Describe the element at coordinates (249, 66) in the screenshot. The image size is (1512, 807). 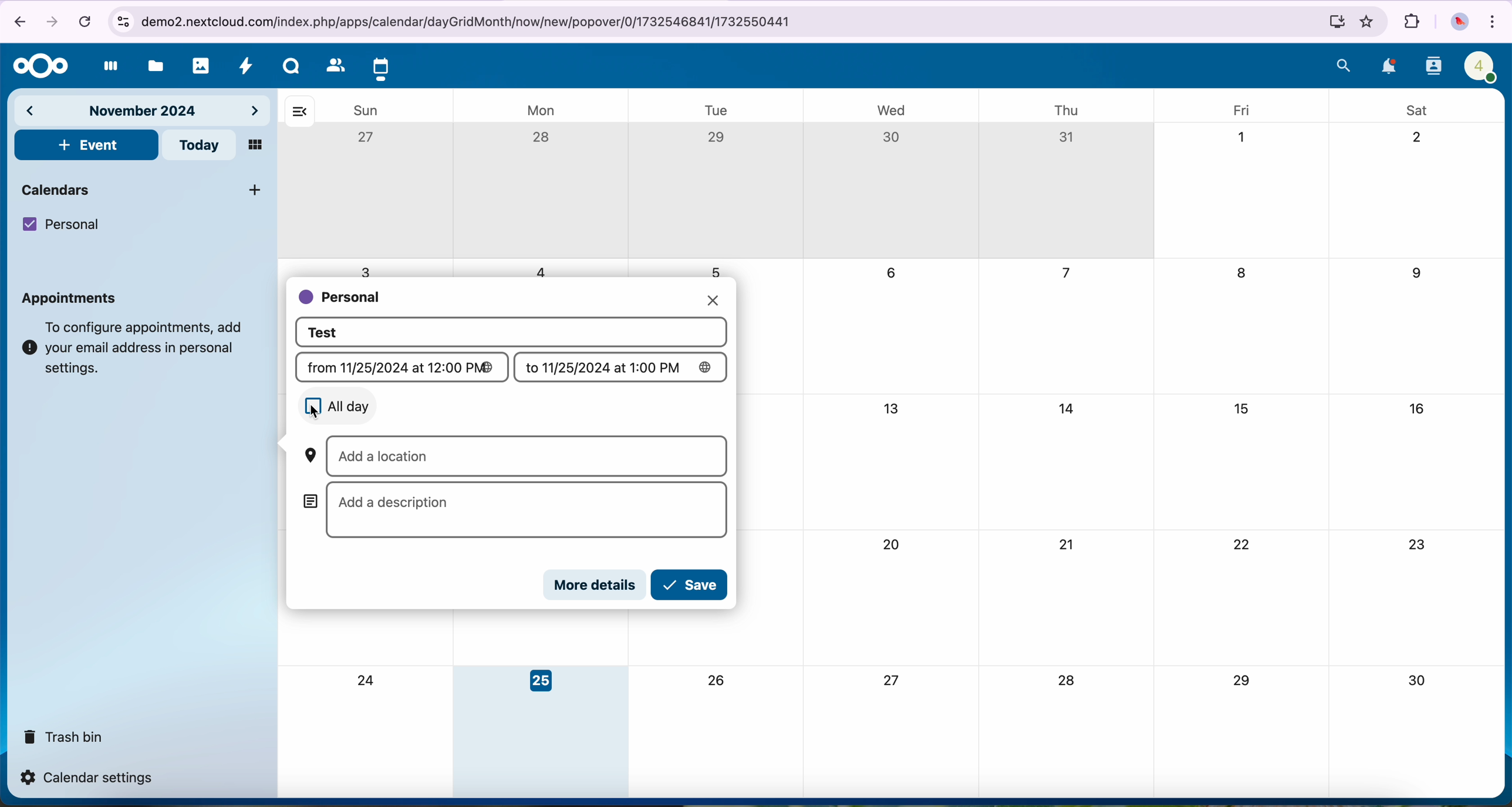
I see `activity` at that location.